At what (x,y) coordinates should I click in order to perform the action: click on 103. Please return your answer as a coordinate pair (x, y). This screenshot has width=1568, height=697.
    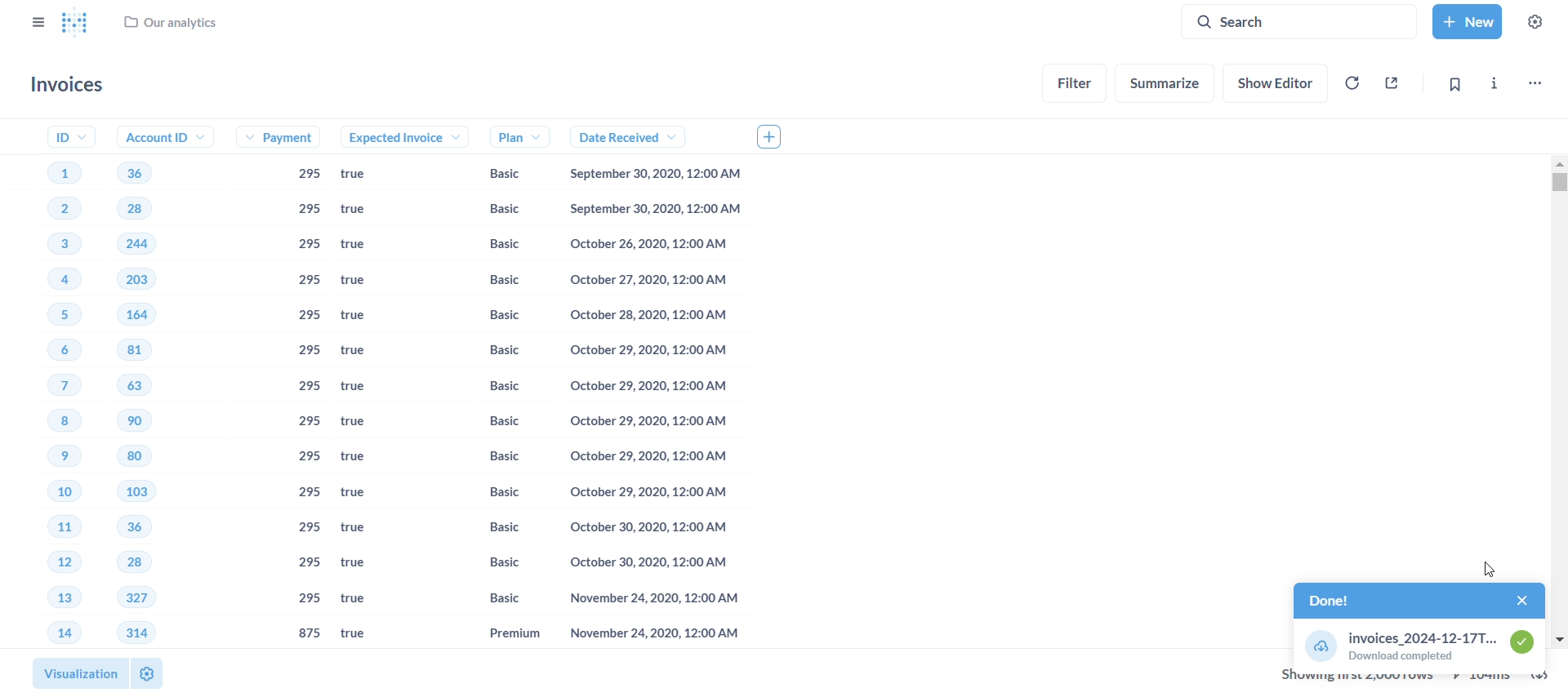
    Looking at the image, I should click on (140, 492).